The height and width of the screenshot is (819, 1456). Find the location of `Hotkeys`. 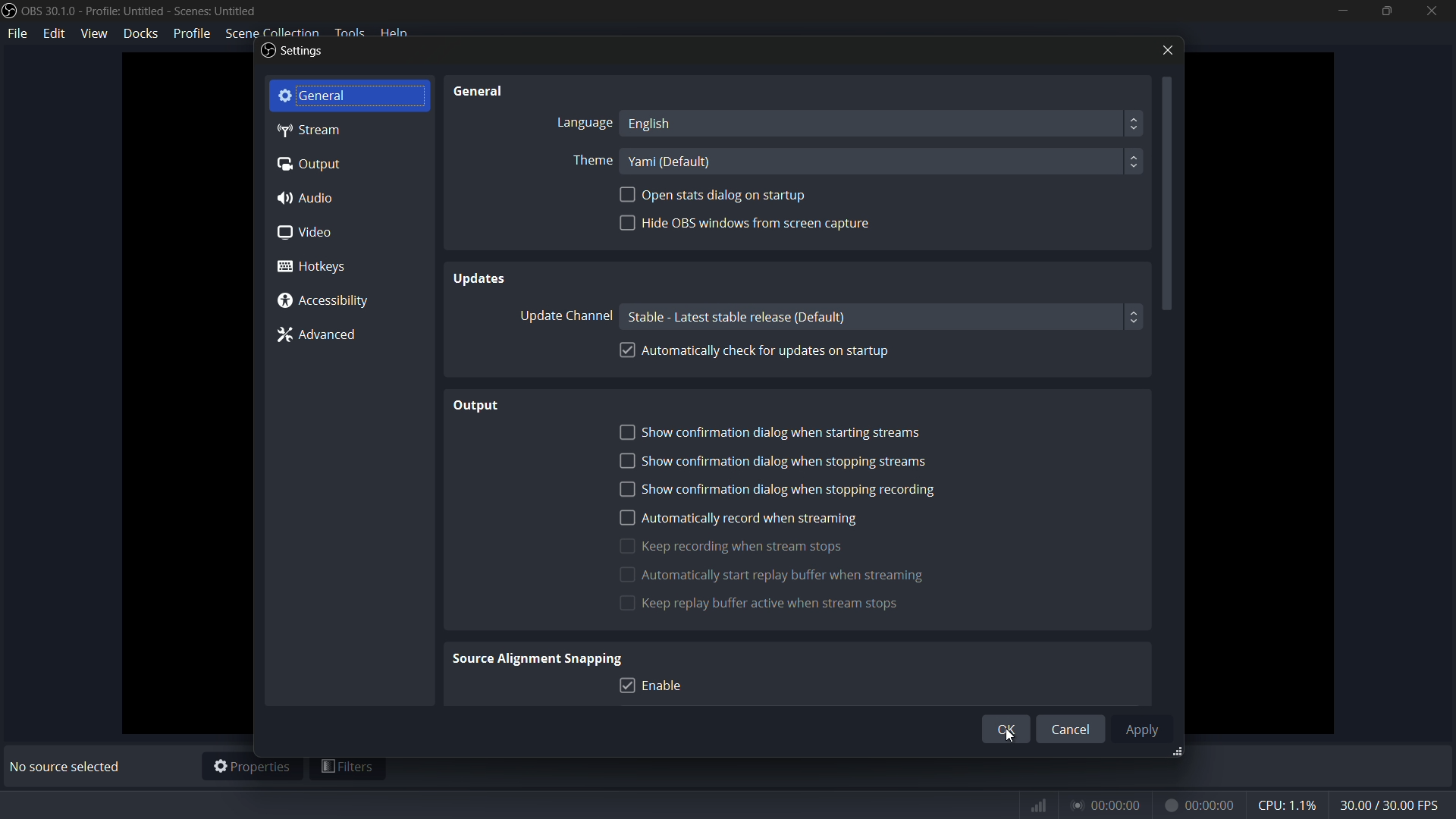

Hotkeys is located at coordinates (314, 268).